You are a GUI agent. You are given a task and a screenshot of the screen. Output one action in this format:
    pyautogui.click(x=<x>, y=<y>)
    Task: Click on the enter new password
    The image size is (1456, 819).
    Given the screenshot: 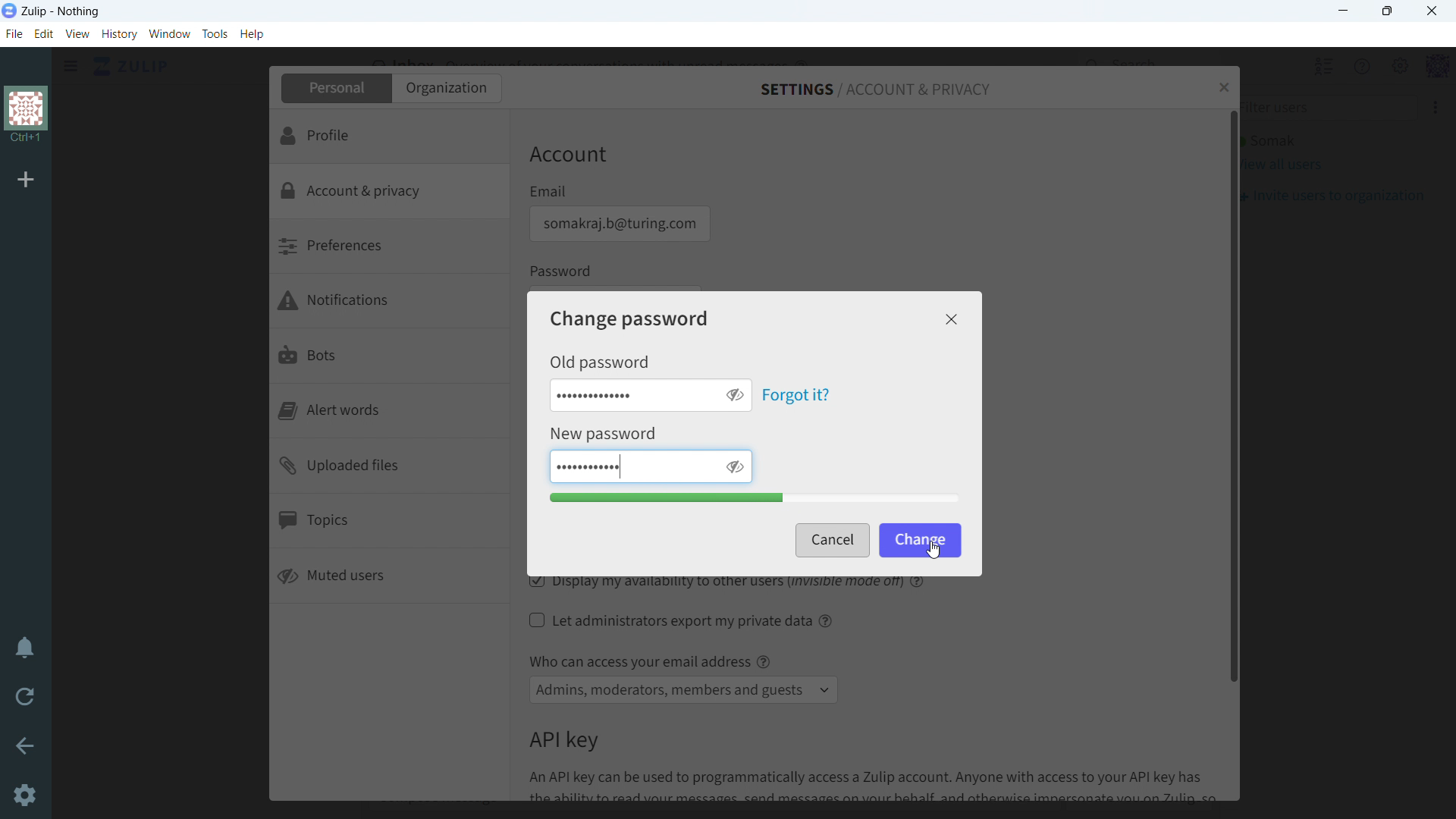 What is the action you would take?
    pyautogui.click(x=631, y=466)
    